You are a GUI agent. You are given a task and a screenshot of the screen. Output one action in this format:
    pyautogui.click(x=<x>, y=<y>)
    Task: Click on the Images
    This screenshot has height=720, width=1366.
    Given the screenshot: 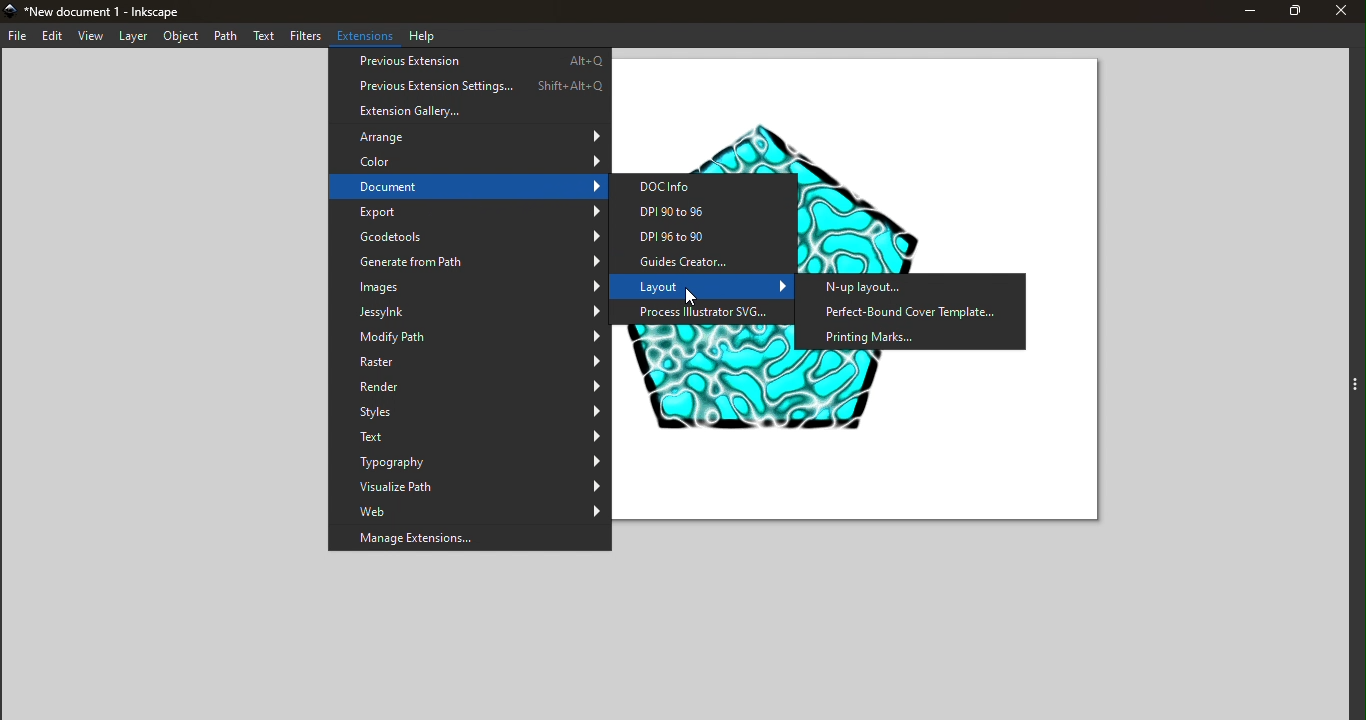 What is the action you would take?
    pyautogui.click(x=469, y=286)
    